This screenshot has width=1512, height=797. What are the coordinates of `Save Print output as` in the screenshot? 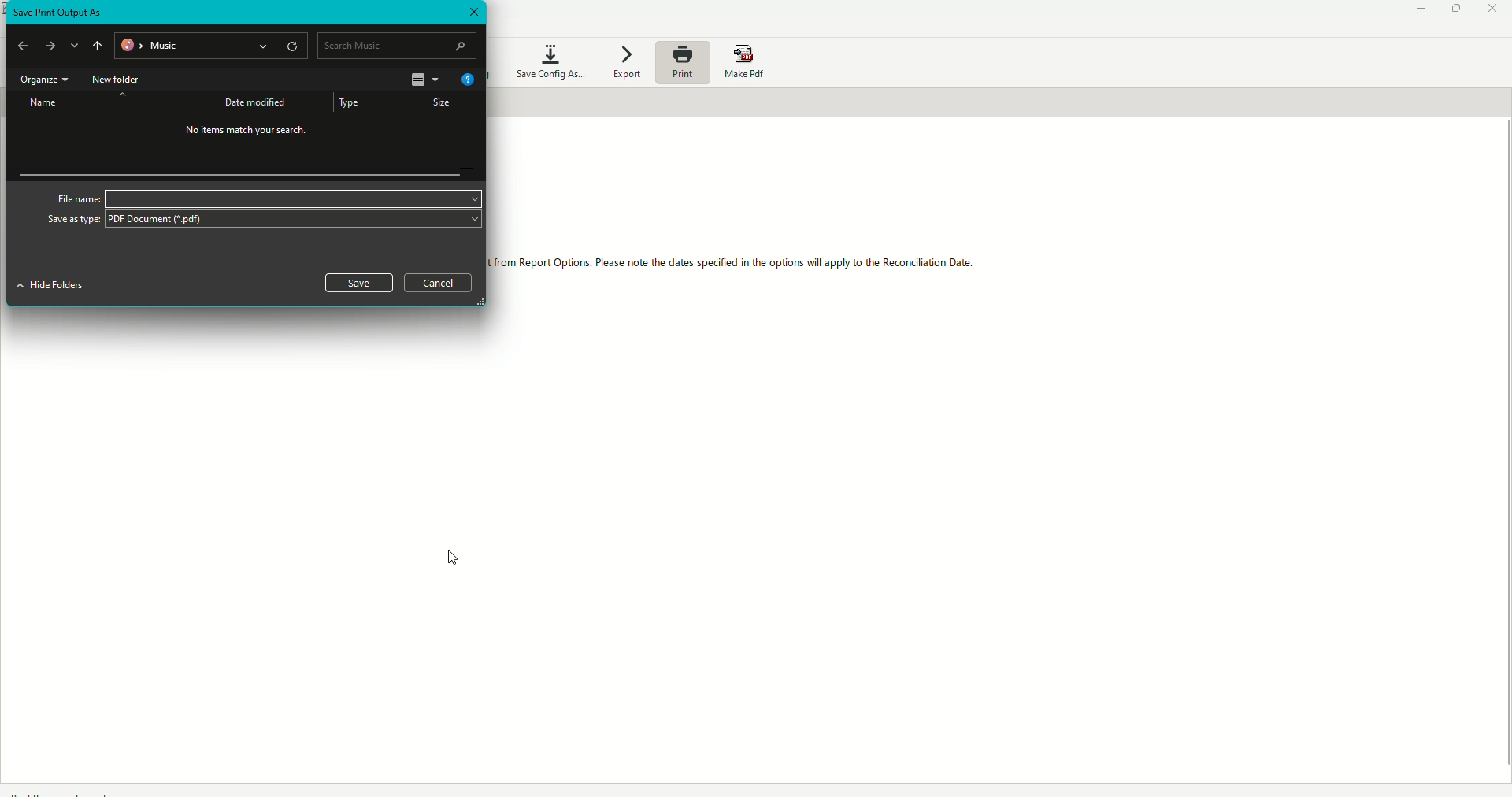 It's located at (59, 12).